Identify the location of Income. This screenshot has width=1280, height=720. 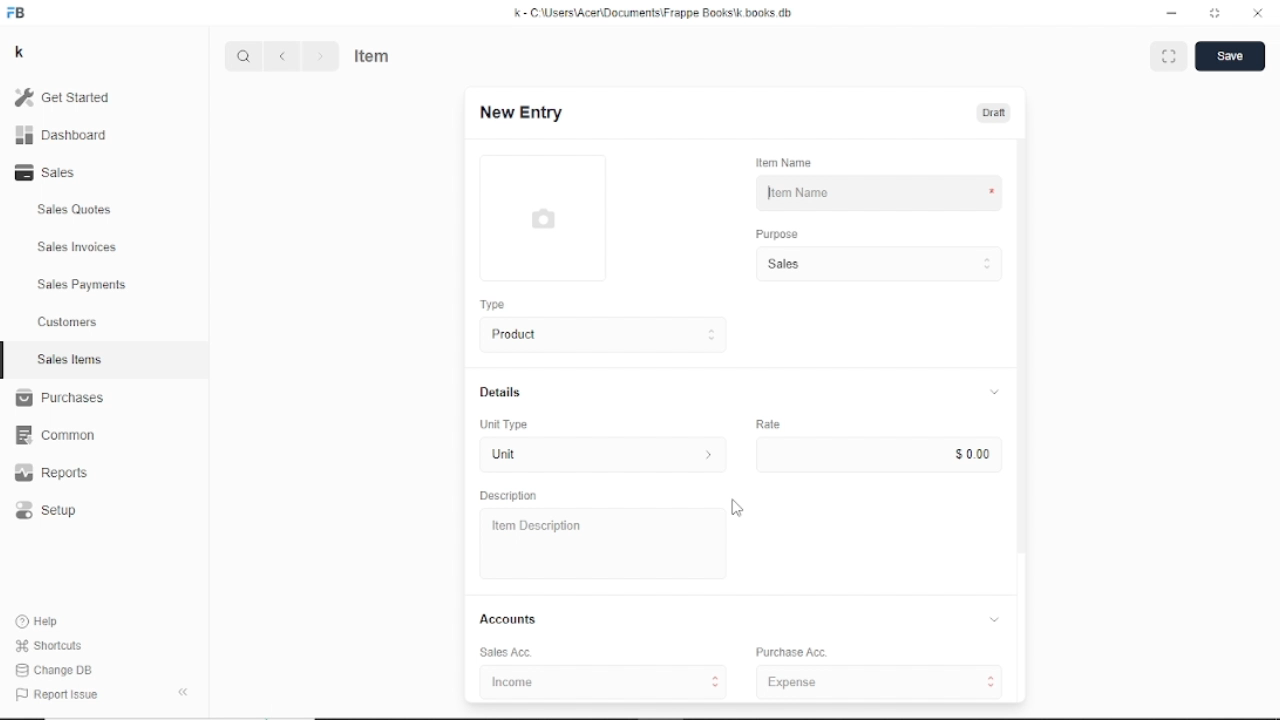
(601, 681).